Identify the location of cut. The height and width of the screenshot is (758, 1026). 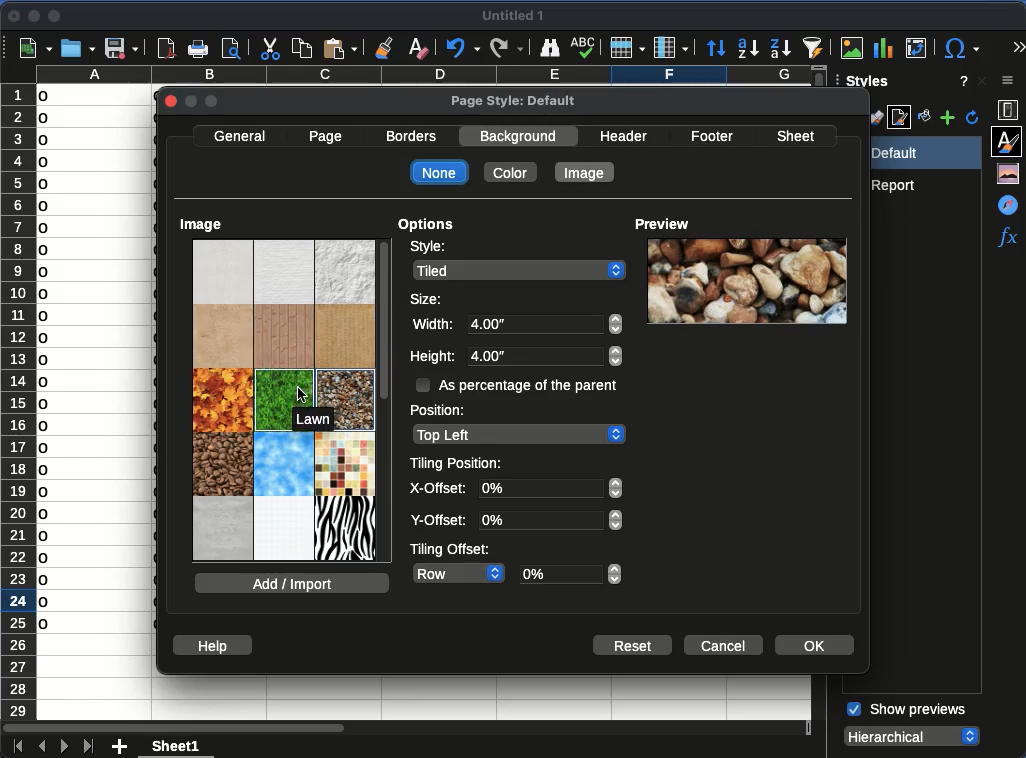
(269, 49).